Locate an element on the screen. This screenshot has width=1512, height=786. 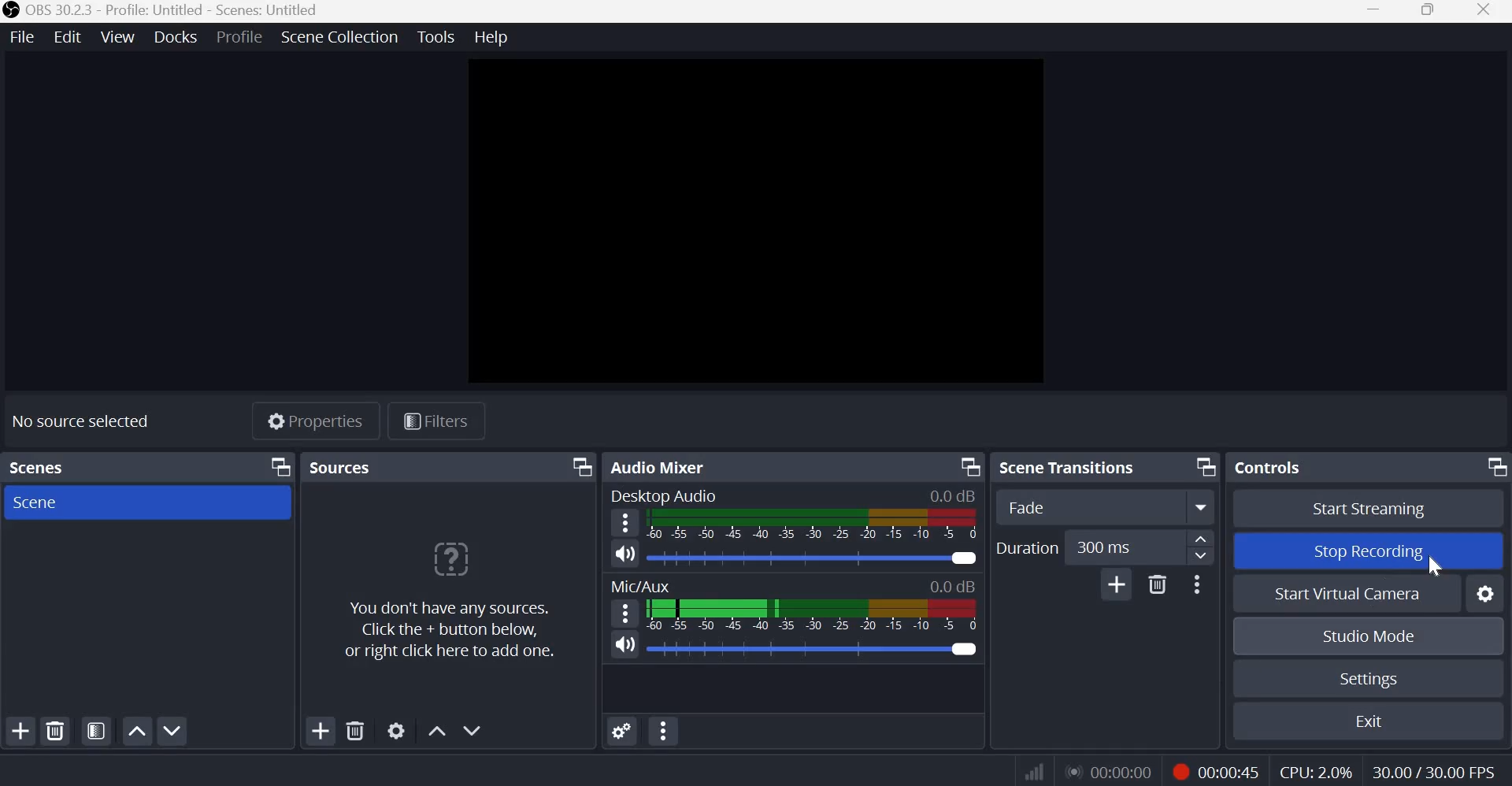
Dock Options icon is located at coordinates (1496, 468).